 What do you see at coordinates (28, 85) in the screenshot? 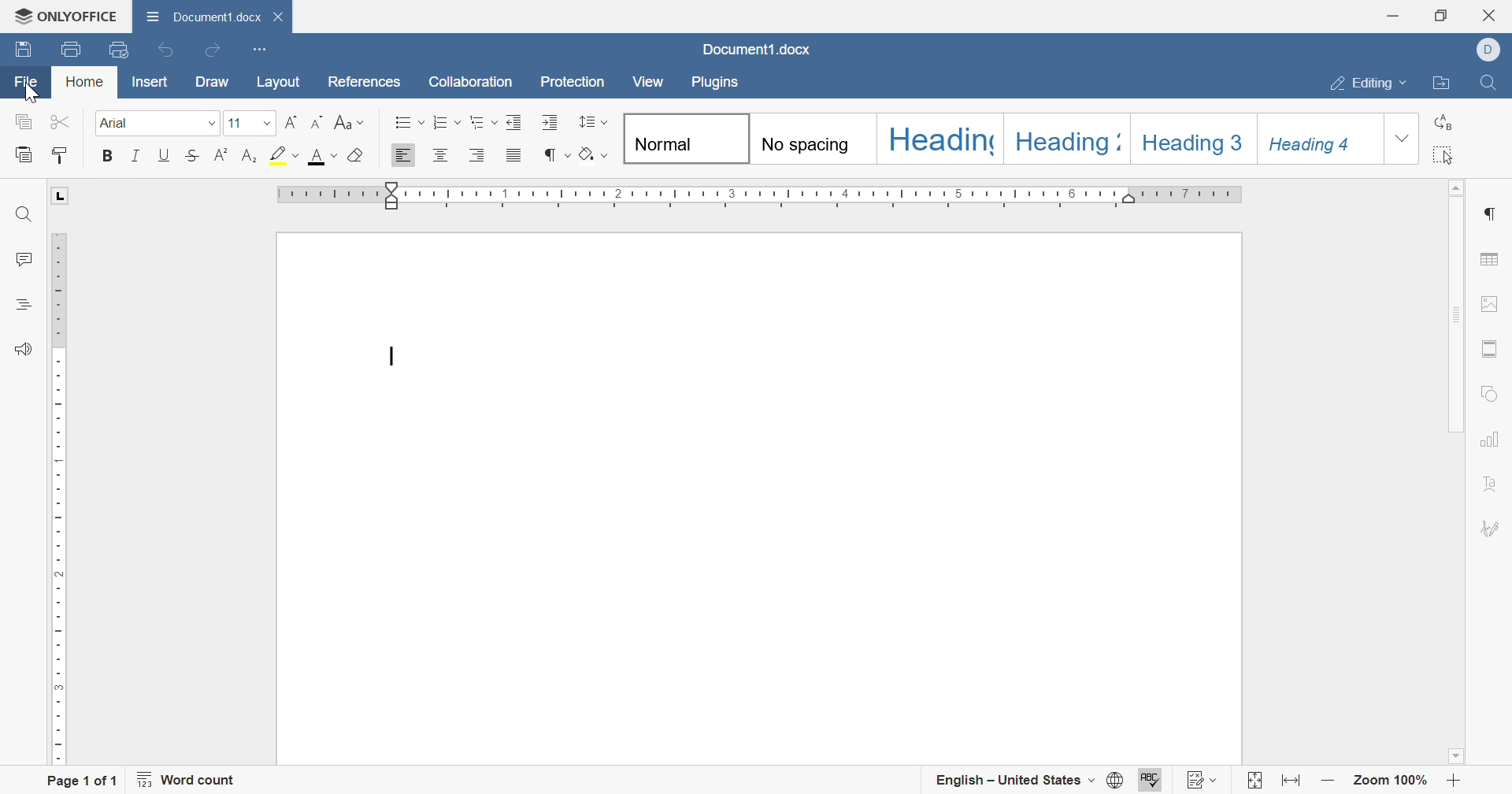
I see `file` at bounding box center [28, 85].